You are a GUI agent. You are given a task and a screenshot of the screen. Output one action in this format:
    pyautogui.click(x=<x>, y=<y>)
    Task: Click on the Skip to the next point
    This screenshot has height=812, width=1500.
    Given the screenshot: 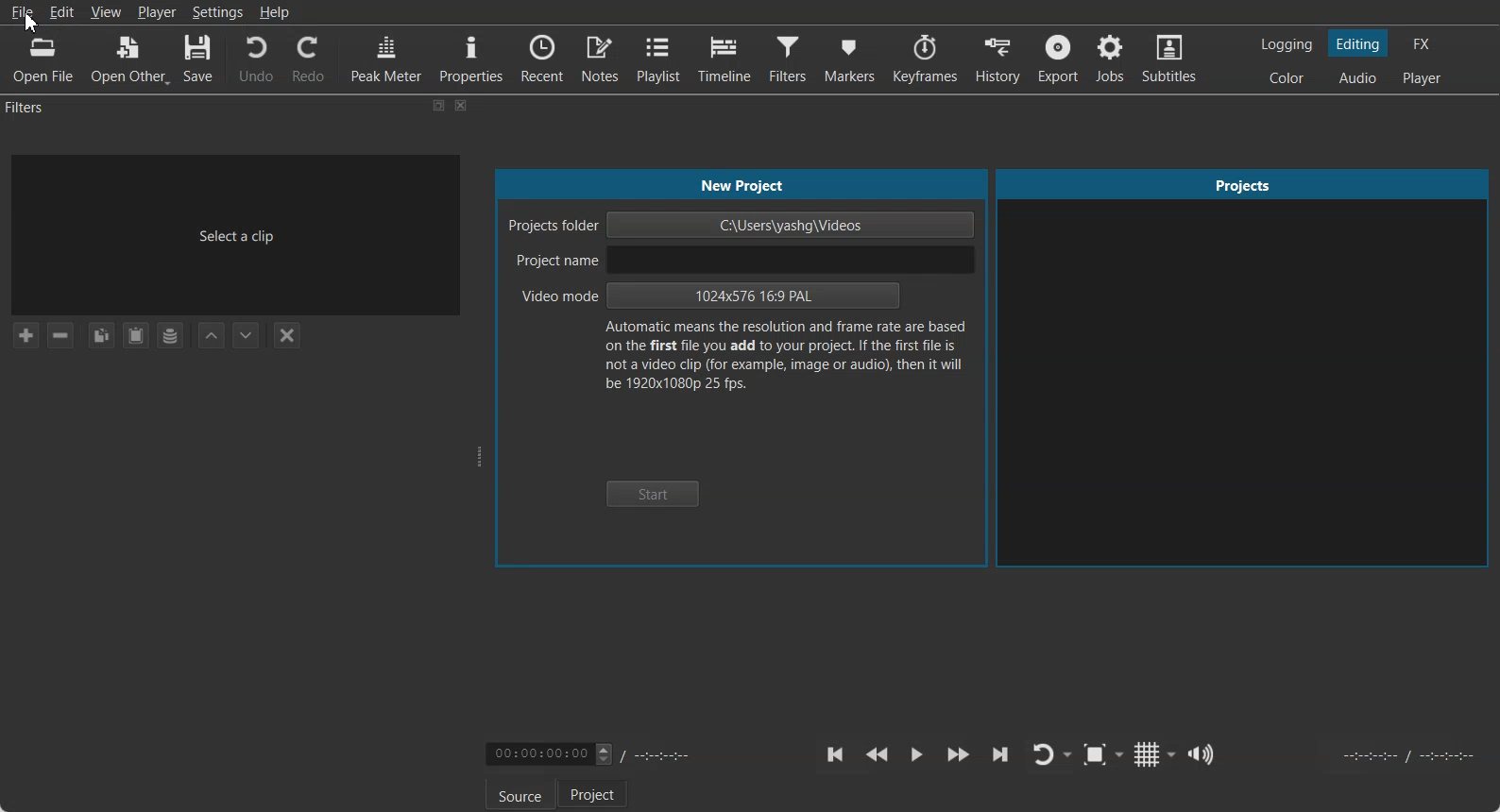 What is the action you would take?
    pyautogui.click(x=999, y=754)
    